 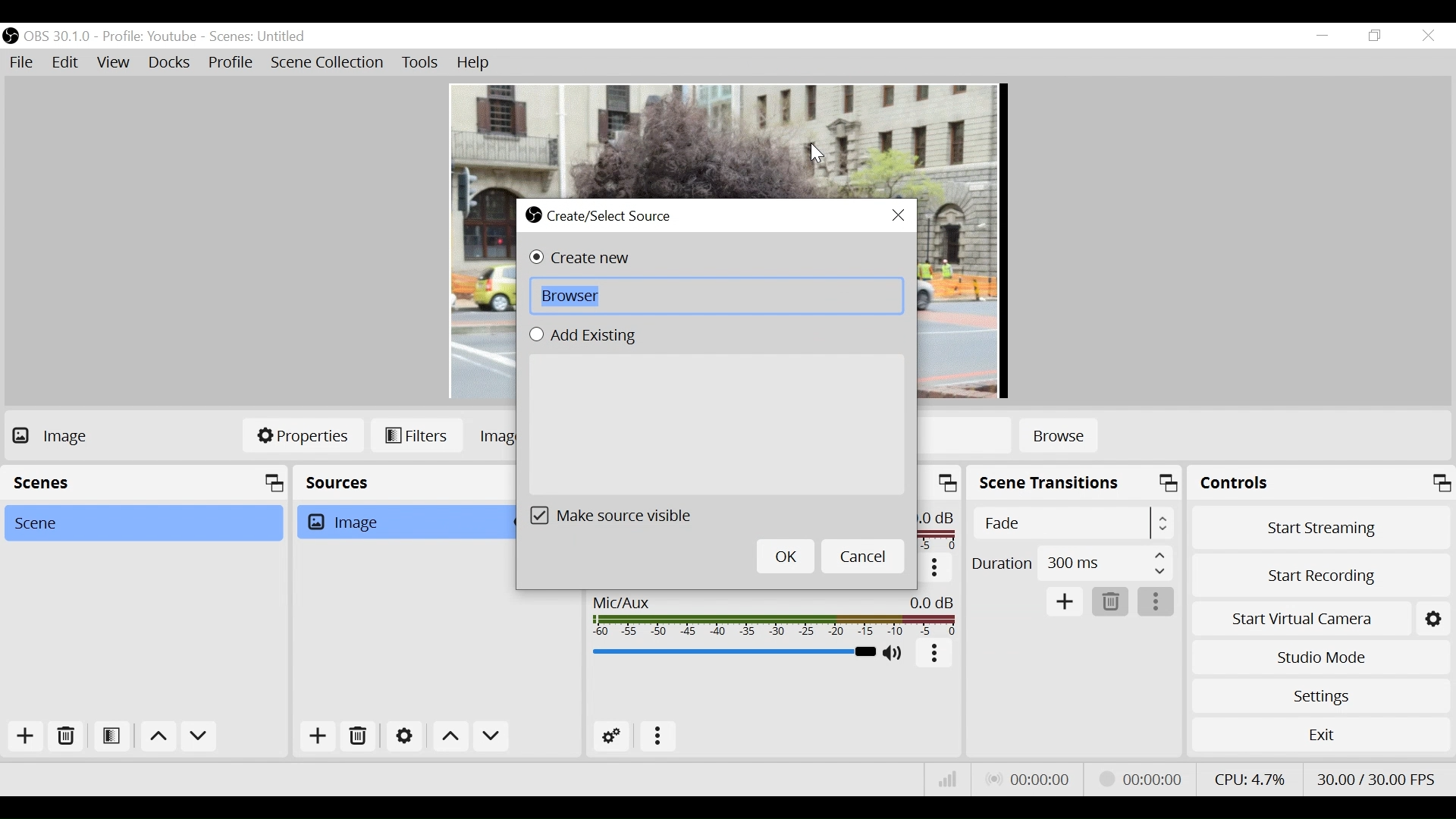 I want to click on OK, so click(x=786, y=556).